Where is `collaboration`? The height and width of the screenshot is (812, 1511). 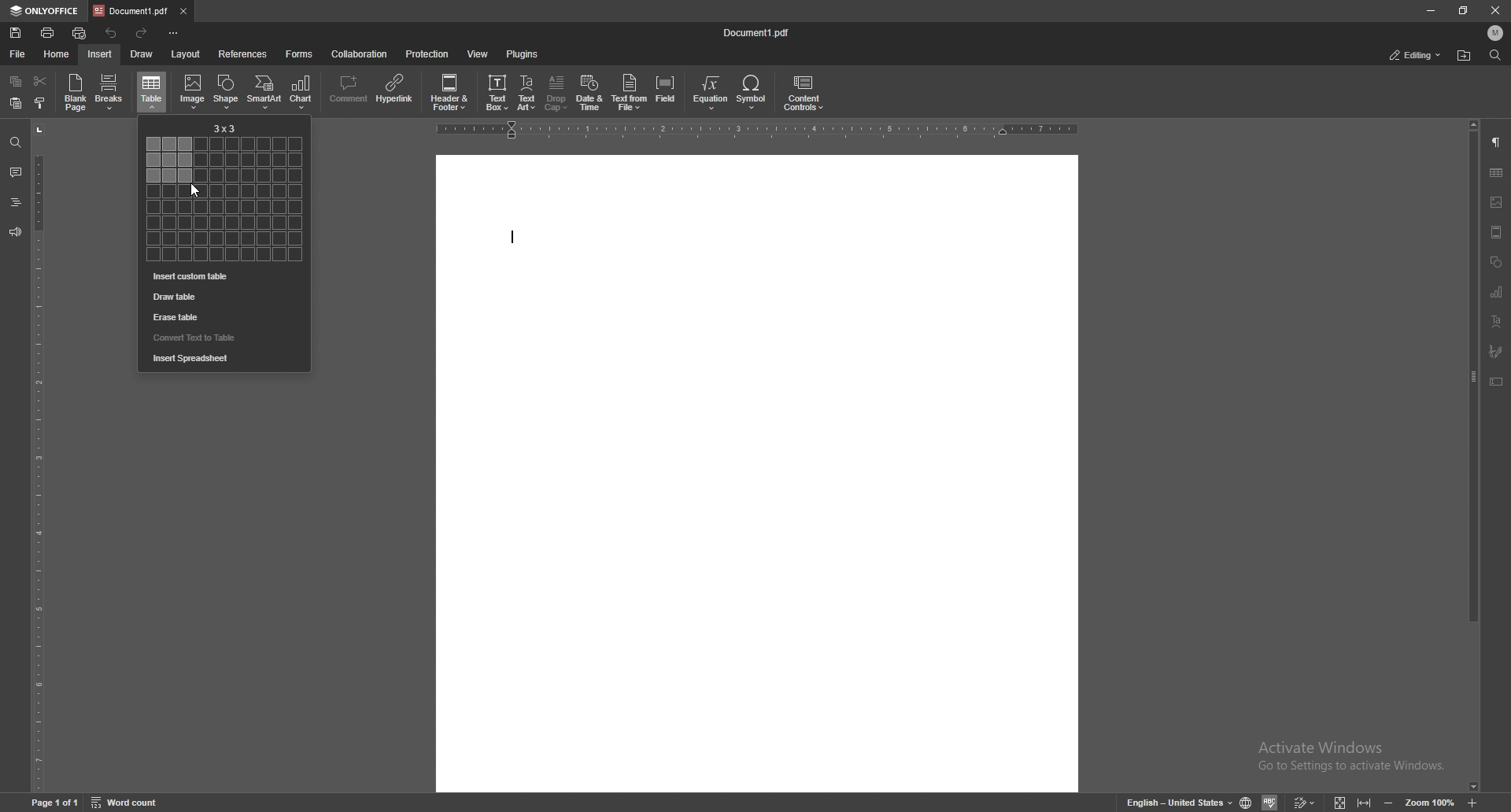 collaboration is located at coordinates (359, 53).